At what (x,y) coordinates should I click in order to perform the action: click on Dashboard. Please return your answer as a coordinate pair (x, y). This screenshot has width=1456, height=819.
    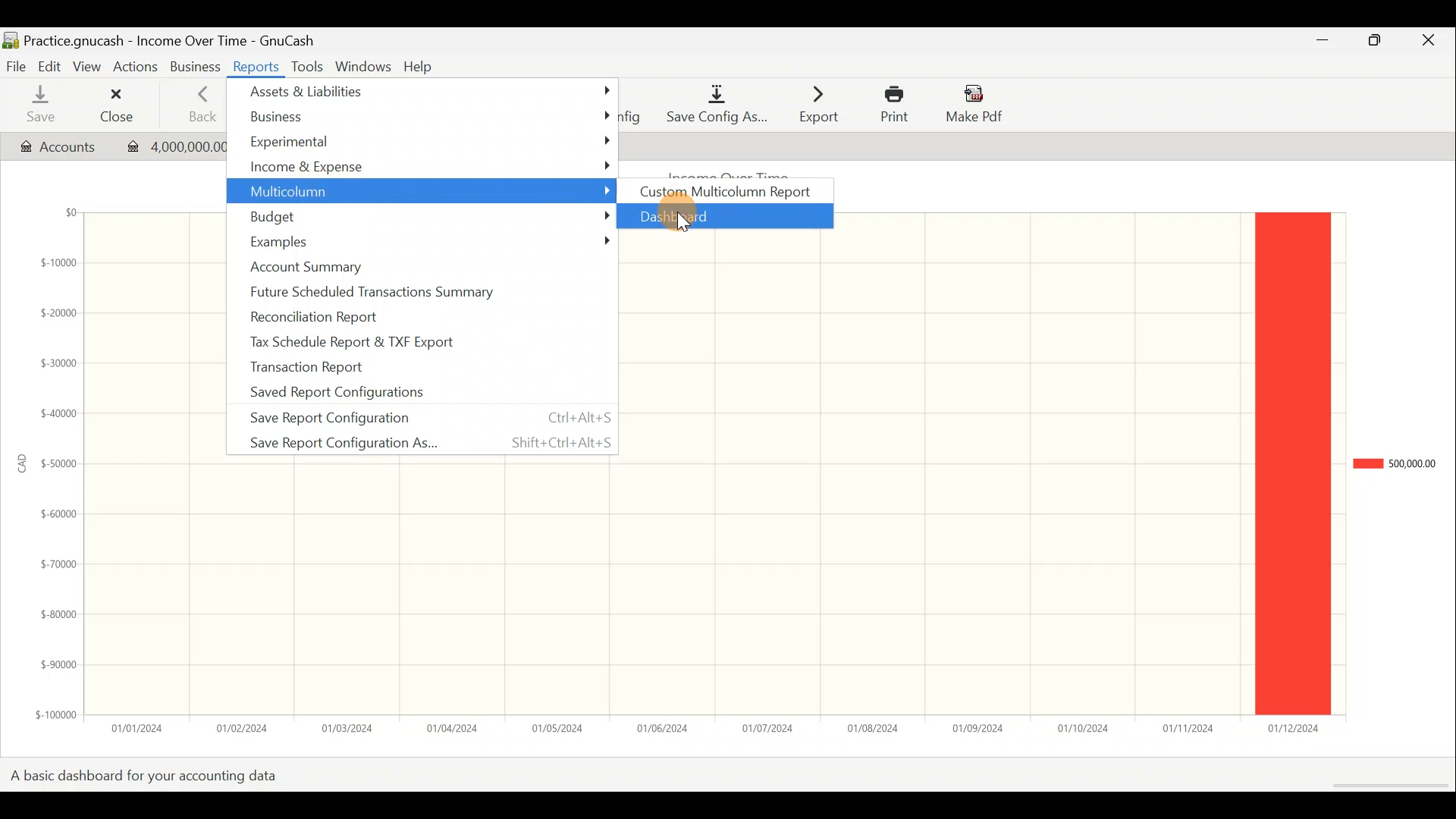
    Looking at the image, I should click on (725, 218).